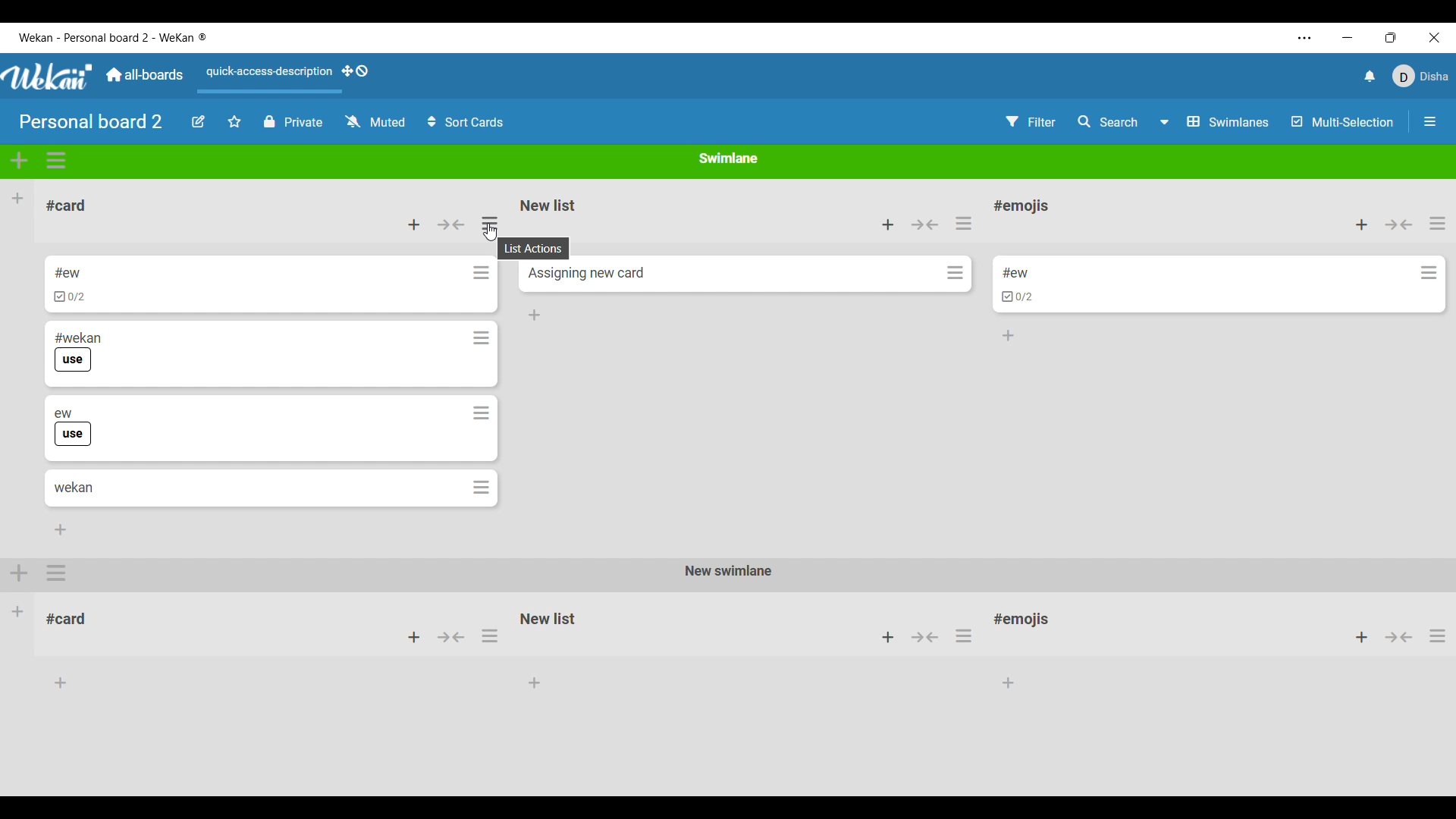 This screenshot has width=1456, height=819. What do you see at coordinates (1430, 121) in the screenshot?
I see `Open/Close sidebar` at bounding box center [1430, 121].